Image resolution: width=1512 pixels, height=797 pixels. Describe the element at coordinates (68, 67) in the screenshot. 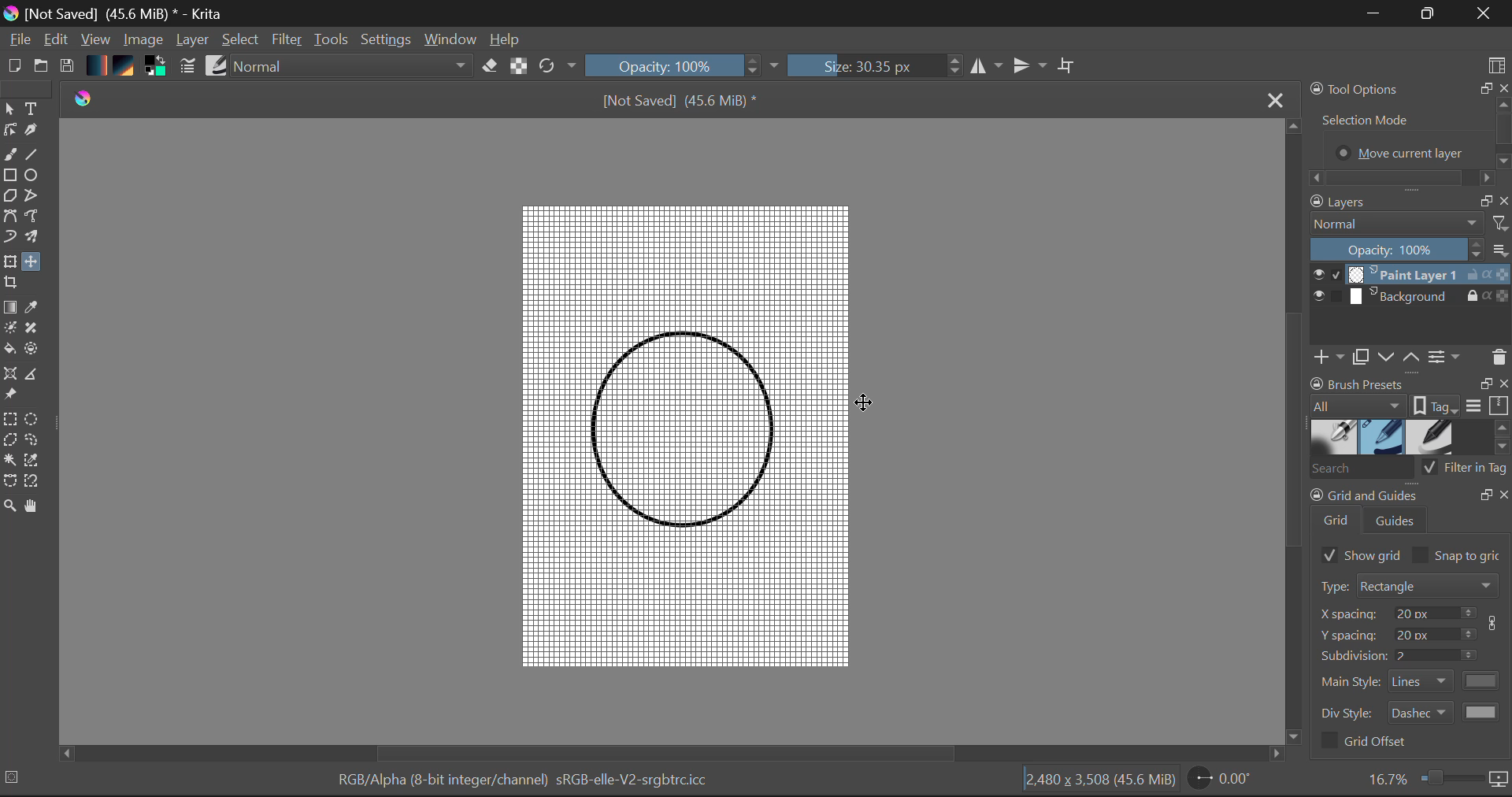

I see `Save` at that location.